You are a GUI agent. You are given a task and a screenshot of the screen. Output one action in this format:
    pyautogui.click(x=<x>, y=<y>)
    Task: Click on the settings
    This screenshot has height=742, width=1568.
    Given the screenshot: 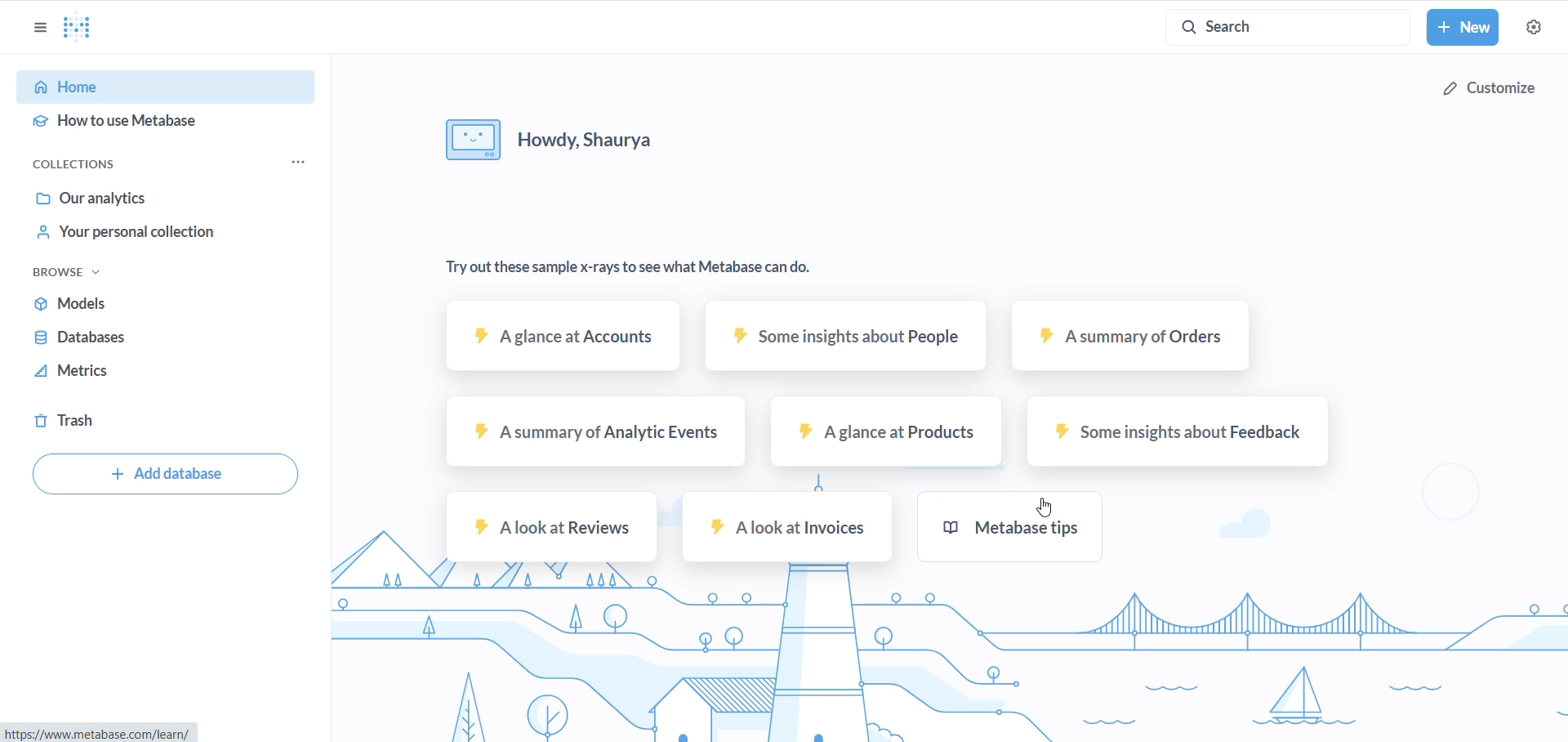 What is the action you would take?
    pyautogui.click(x=1533, y=29)
    